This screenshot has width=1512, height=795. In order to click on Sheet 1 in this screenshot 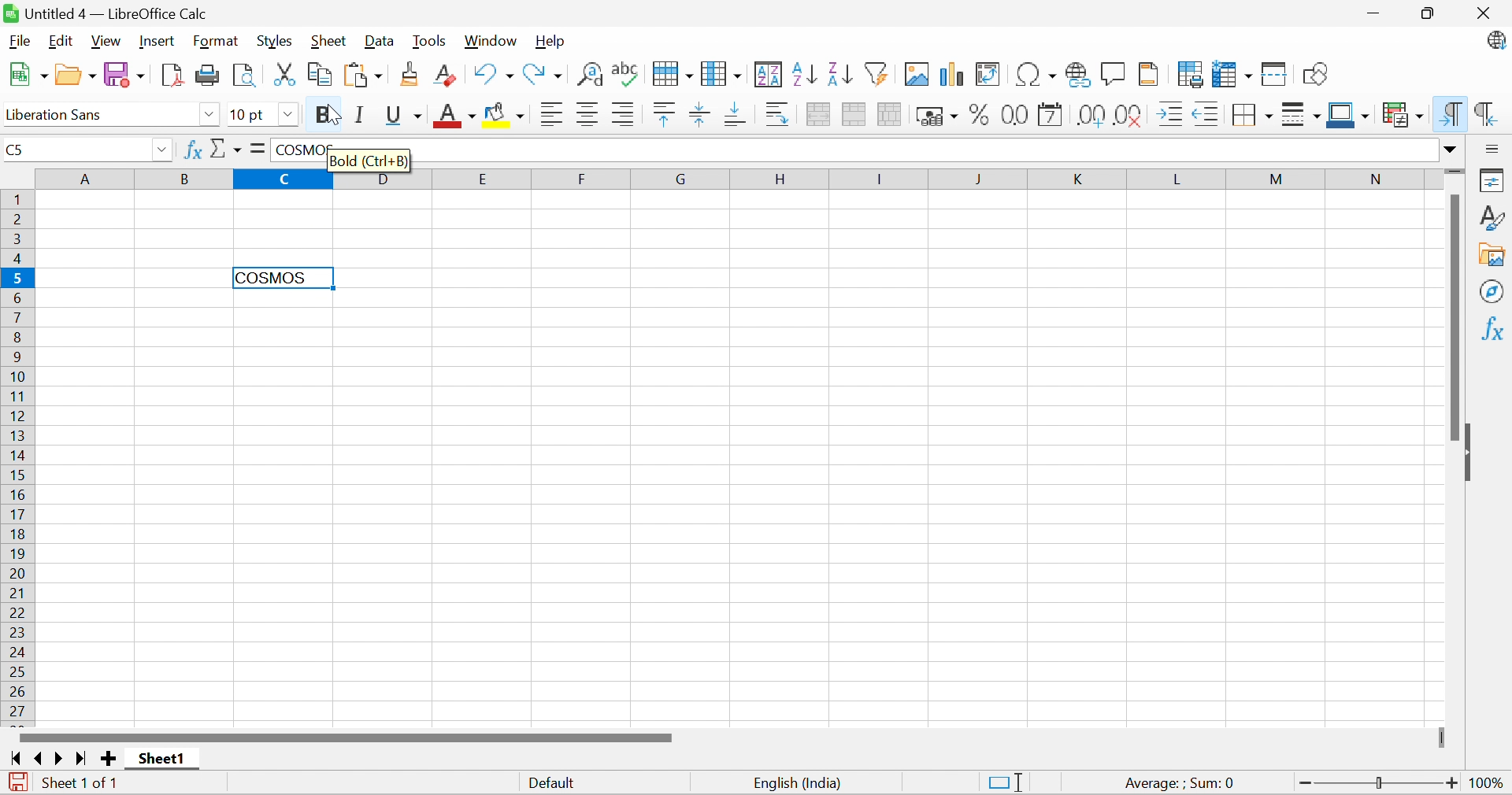, I will do `click(163, 760)`.